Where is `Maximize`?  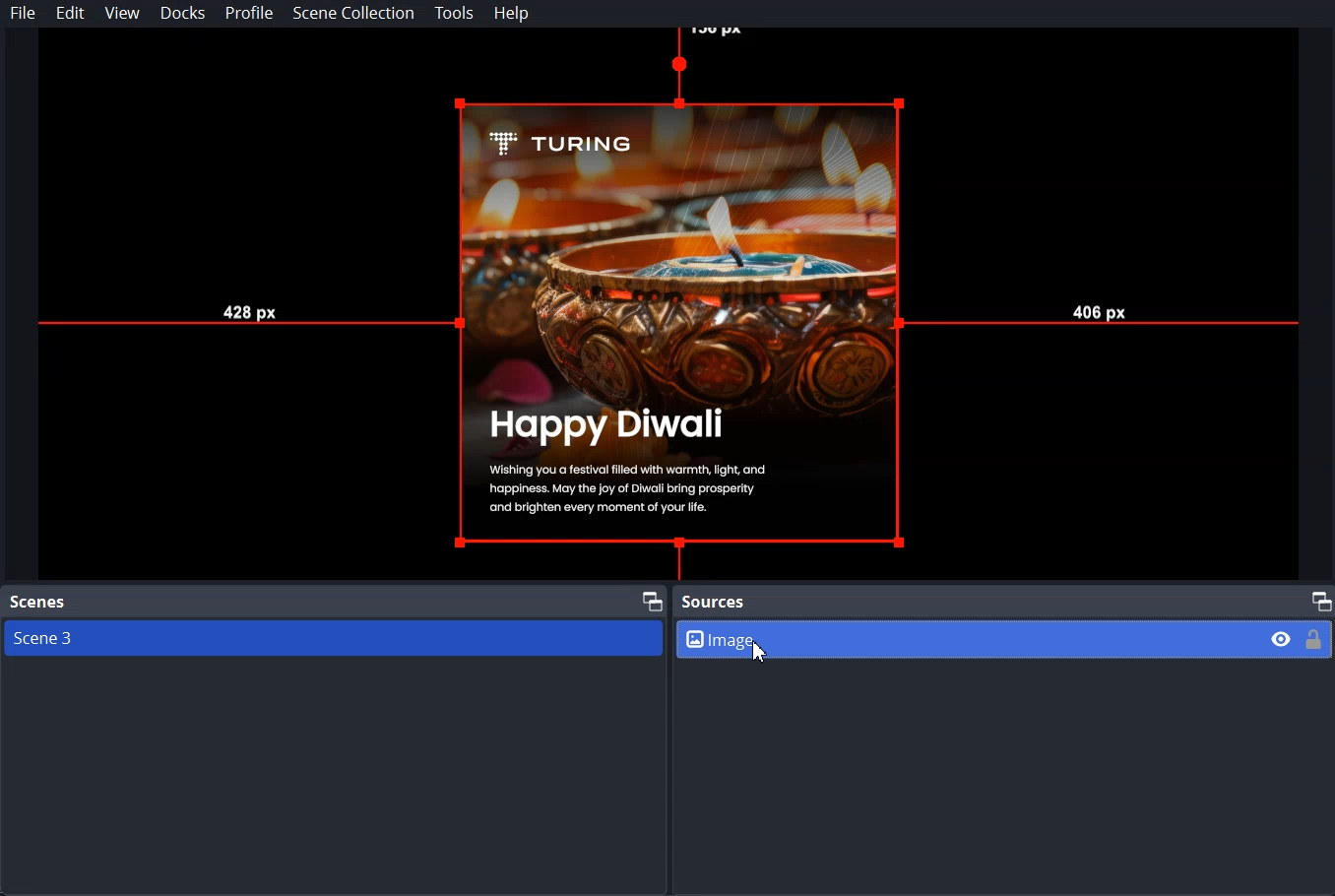
Maximize is located at coordinates (1320, 600).